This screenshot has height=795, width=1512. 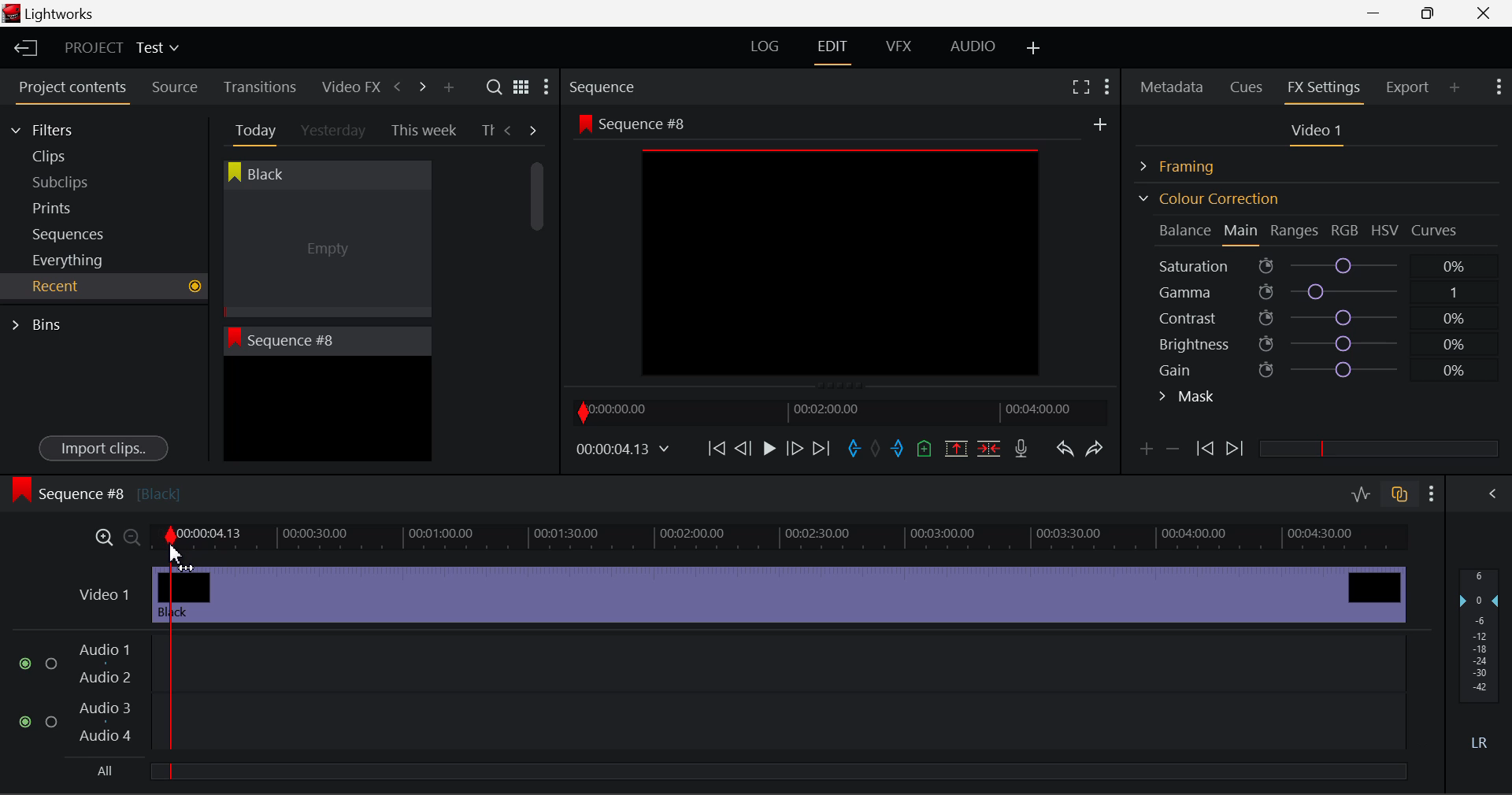 I want to click on Source, so click(x=175, y=87).